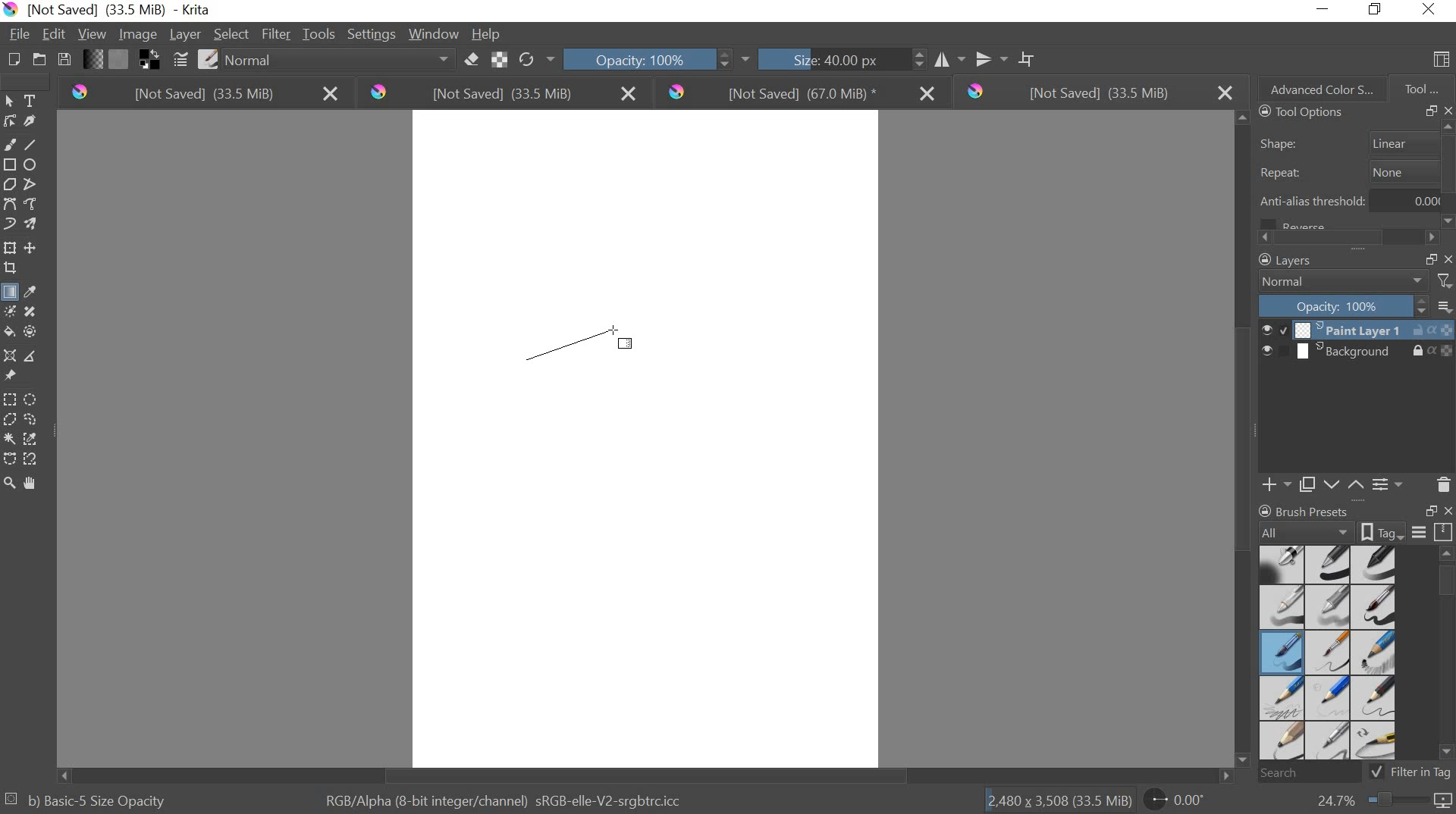  I want to click on FILL GRADIENTS, so click(95, 61).